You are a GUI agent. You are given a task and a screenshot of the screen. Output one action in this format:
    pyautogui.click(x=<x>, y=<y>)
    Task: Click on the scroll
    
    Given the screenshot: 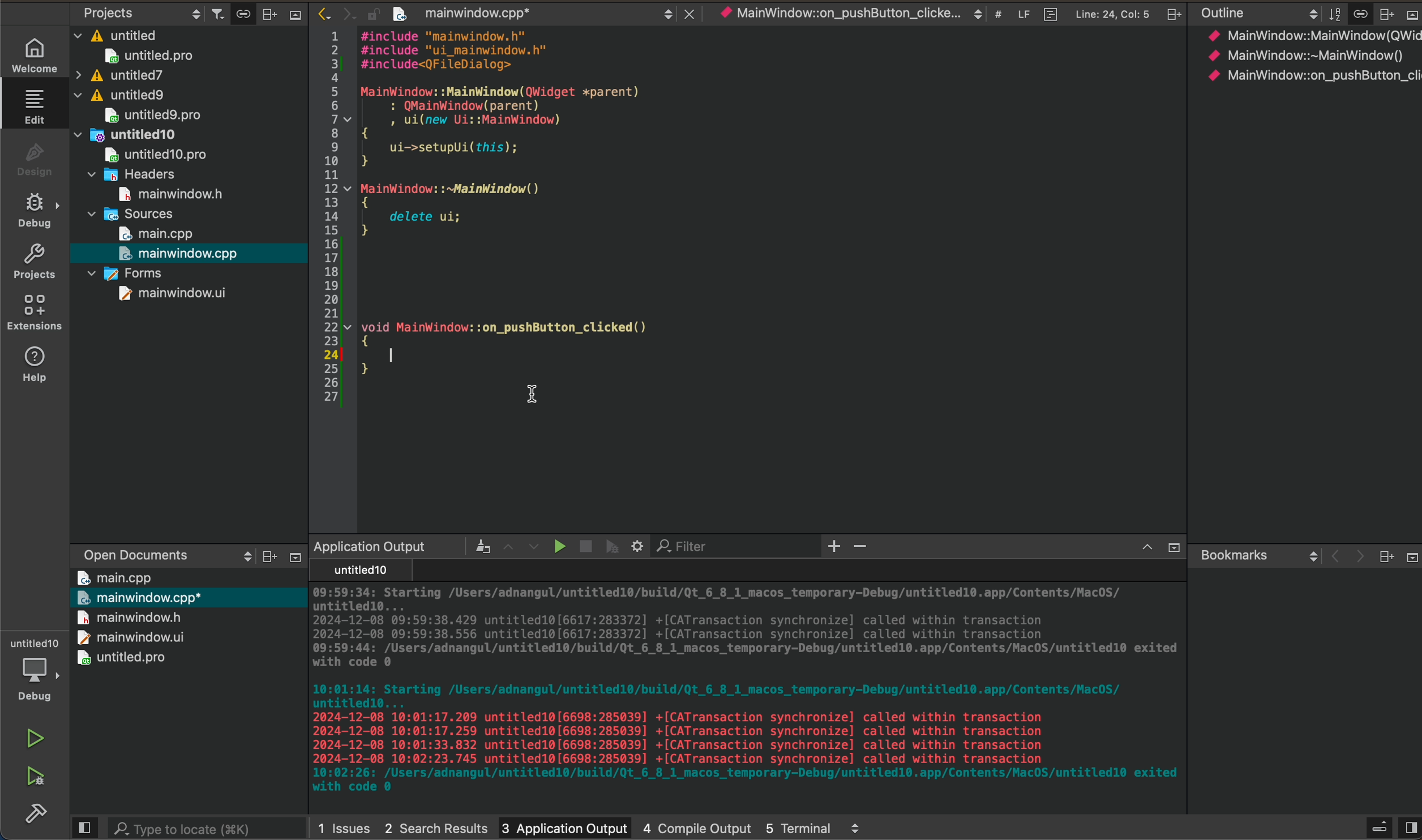 What is the action you would take?
    pyautogui.click(x=236, y=556)
    